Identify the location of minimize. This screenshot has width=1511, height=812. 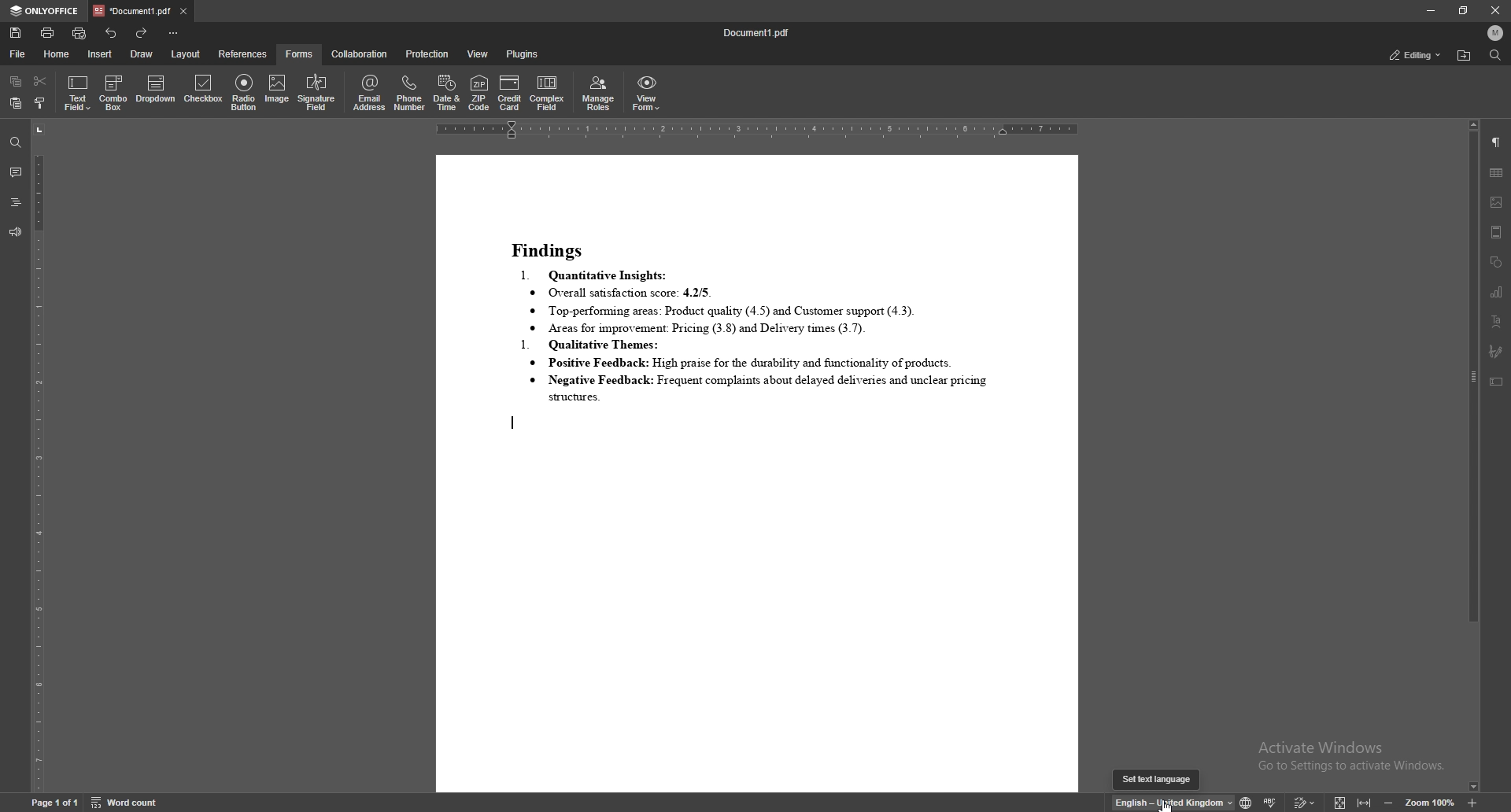
(1431, 10).